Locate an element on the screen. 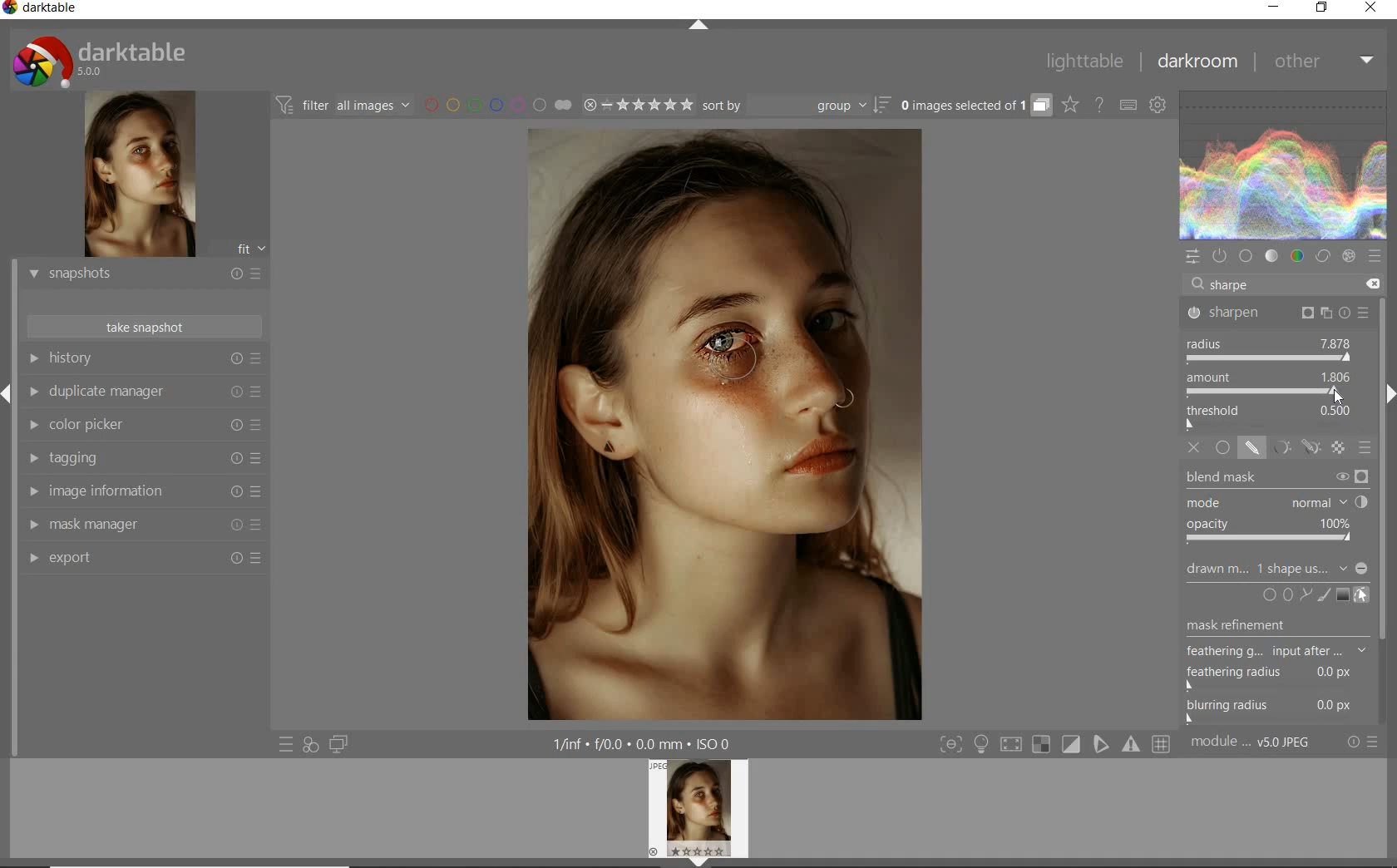 The height and width of the screenshot is (868, 1397). OFF is located at coordinates (1197, 449).